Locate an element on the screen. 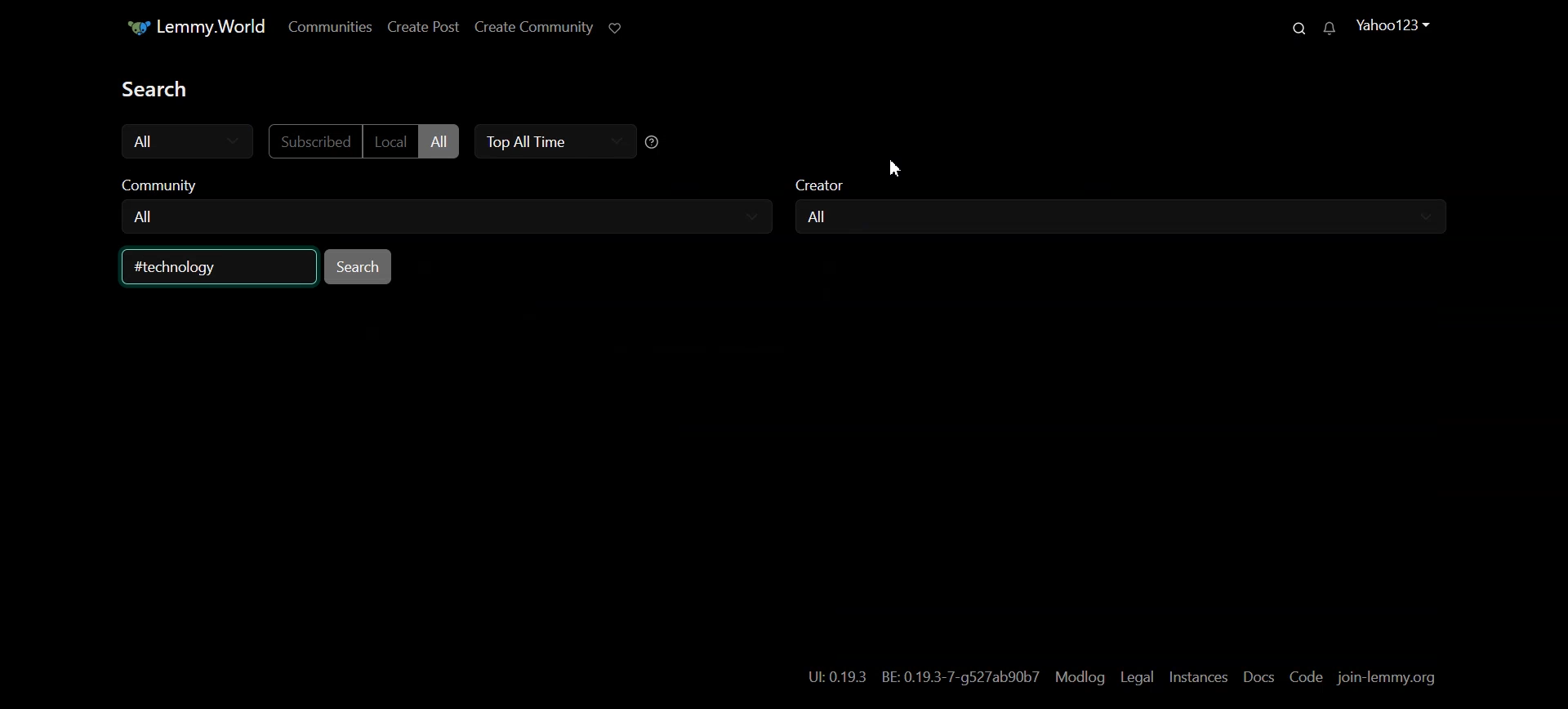 The height and width of the screenshot is (709, 1568). Account is located at coordinates (1392, 26).